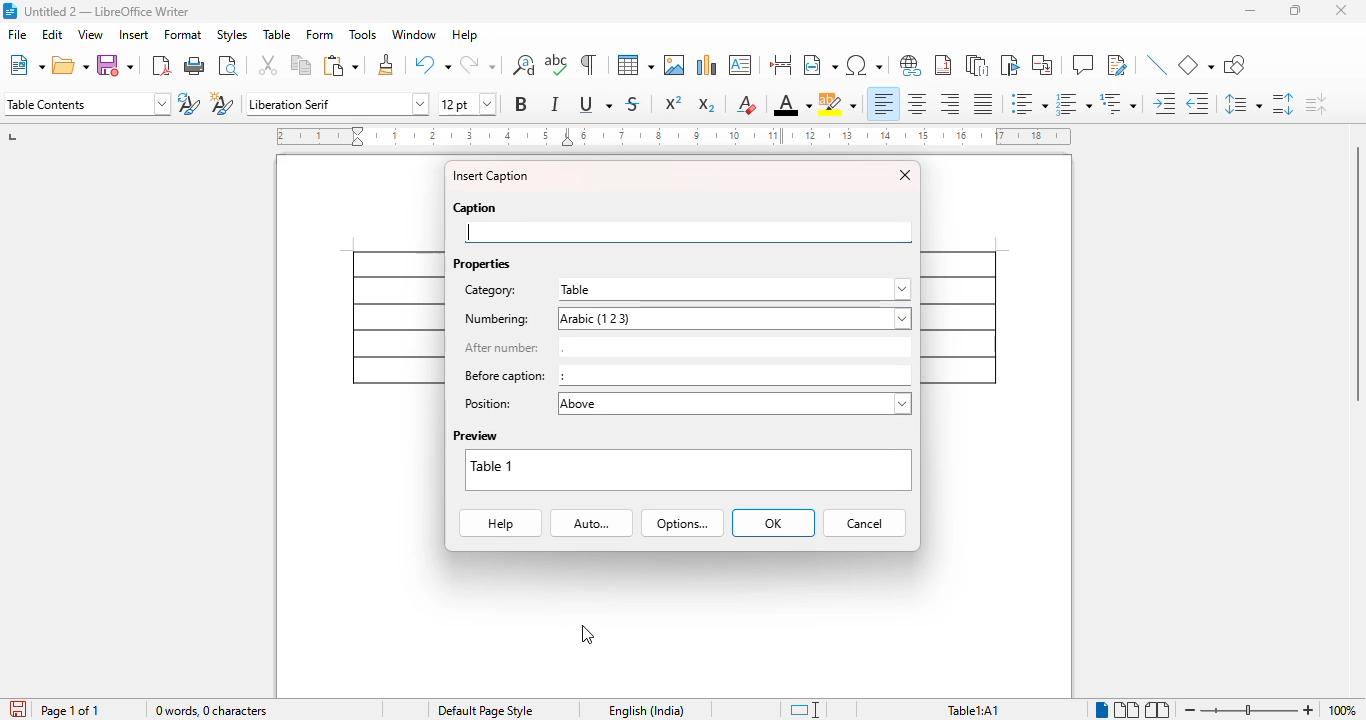 The height and width of the screenshot is (720, 1366). Describe the element at coordinates (1158, 710) in the screenshot. I see `book view` at that location.